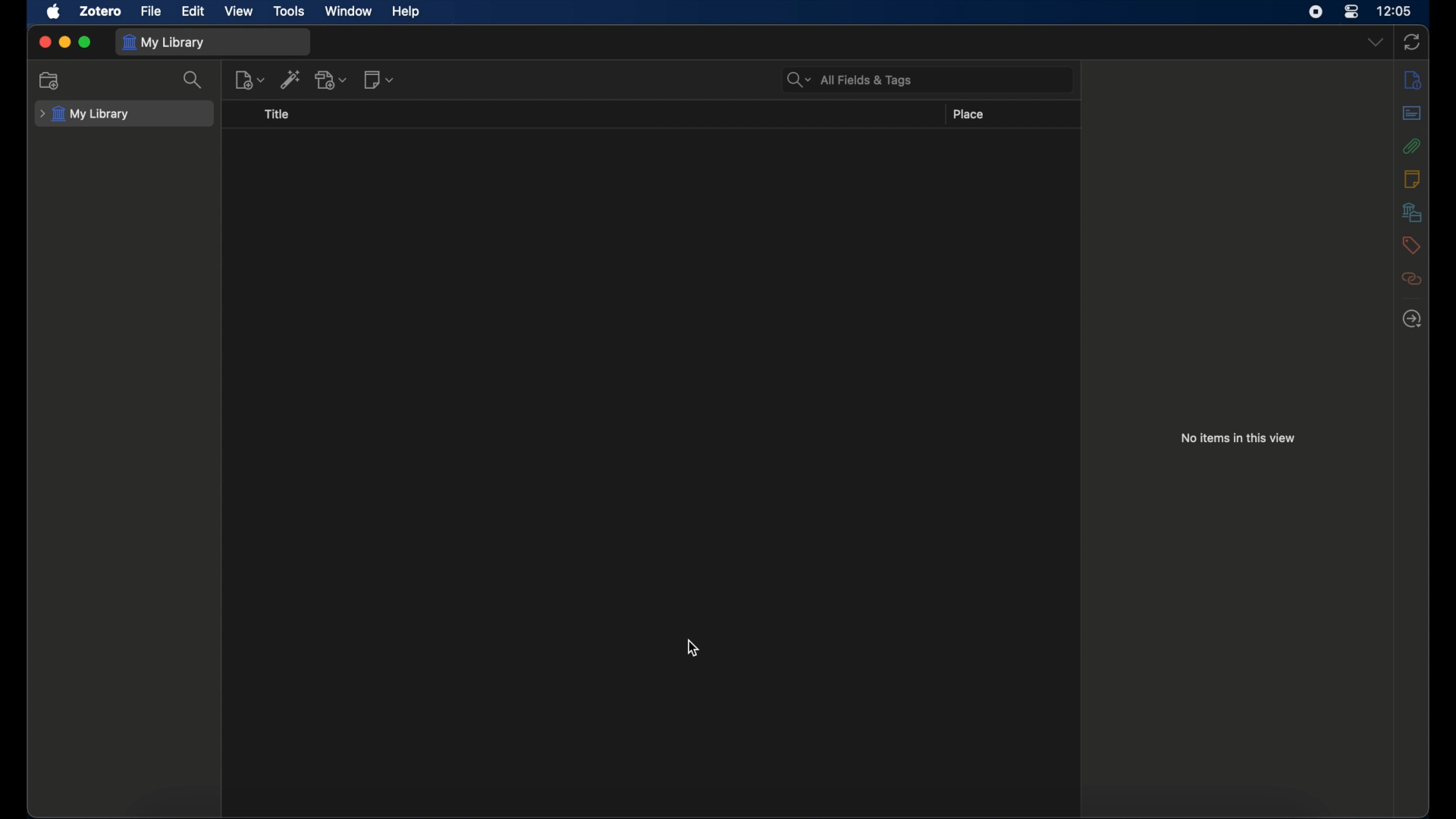 This screenshot has height=819, width=1456. Describe the element at coordinates (249, 80) in the screenshot. I see `new item` at that location.